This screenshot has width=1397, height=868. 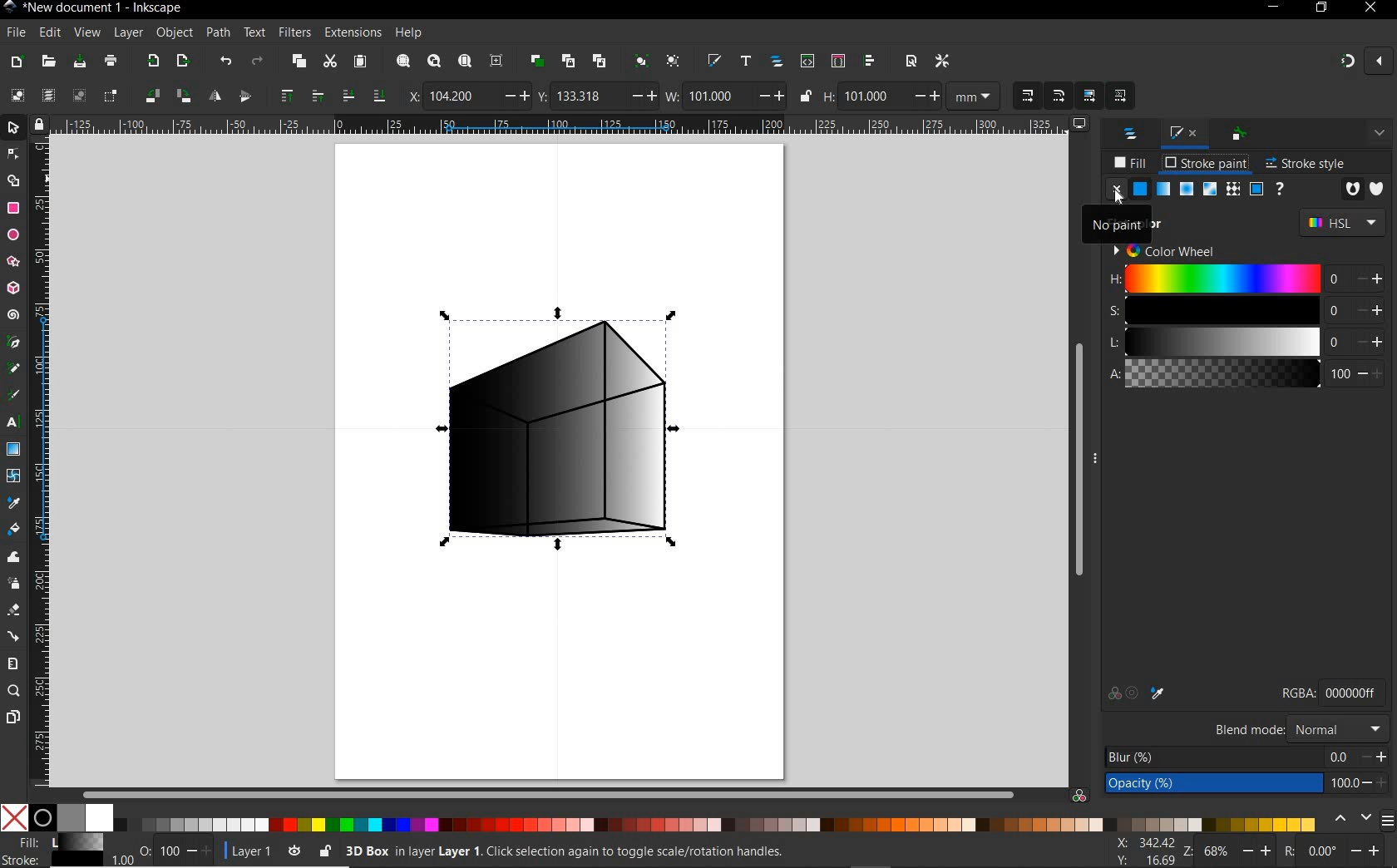 What do you see at coordinates (217, 95) in the screenshot?
I see `OBJECT FLIP` at bounding box center [217, 95].